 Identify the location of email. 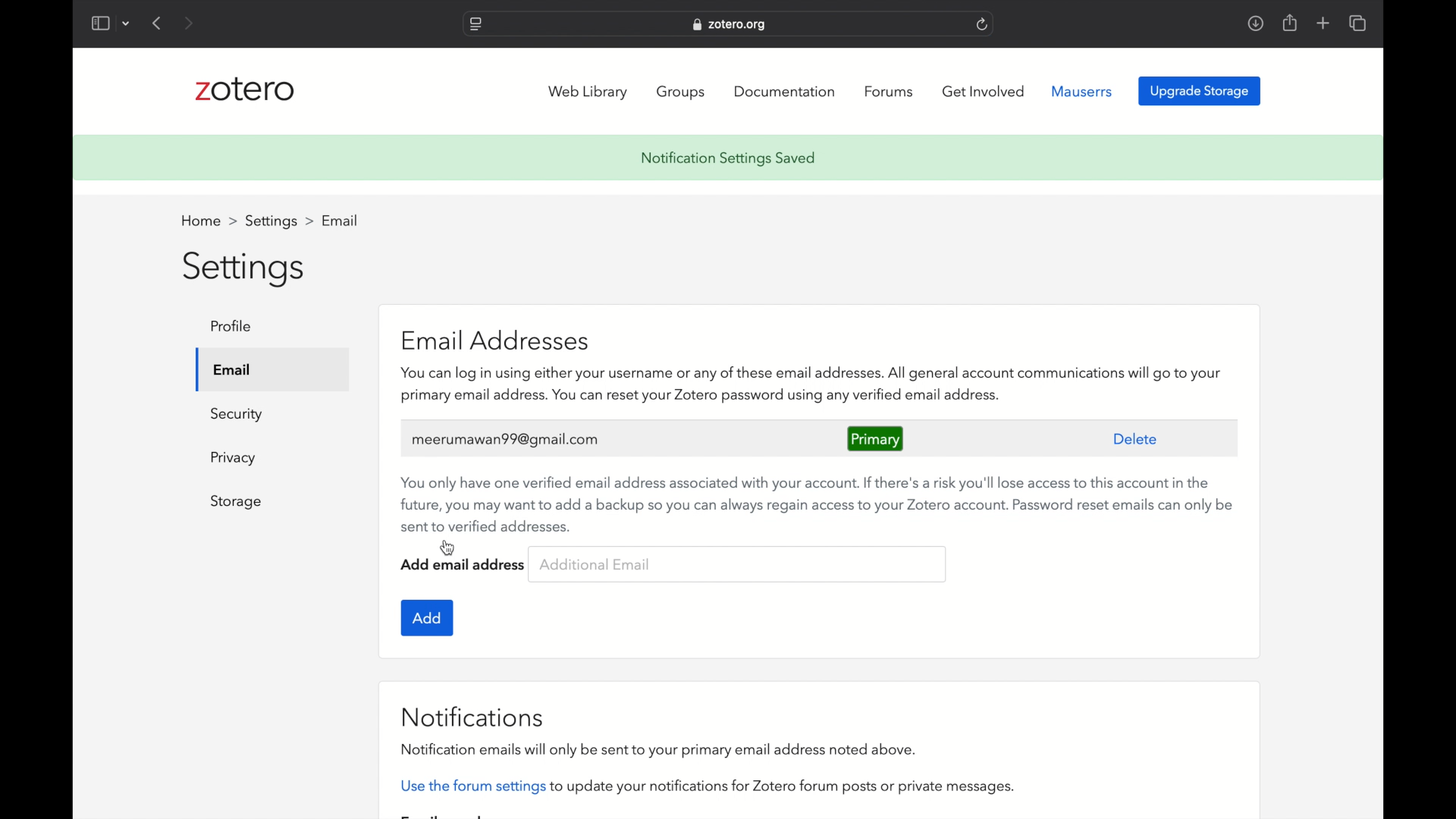
(340, 219).